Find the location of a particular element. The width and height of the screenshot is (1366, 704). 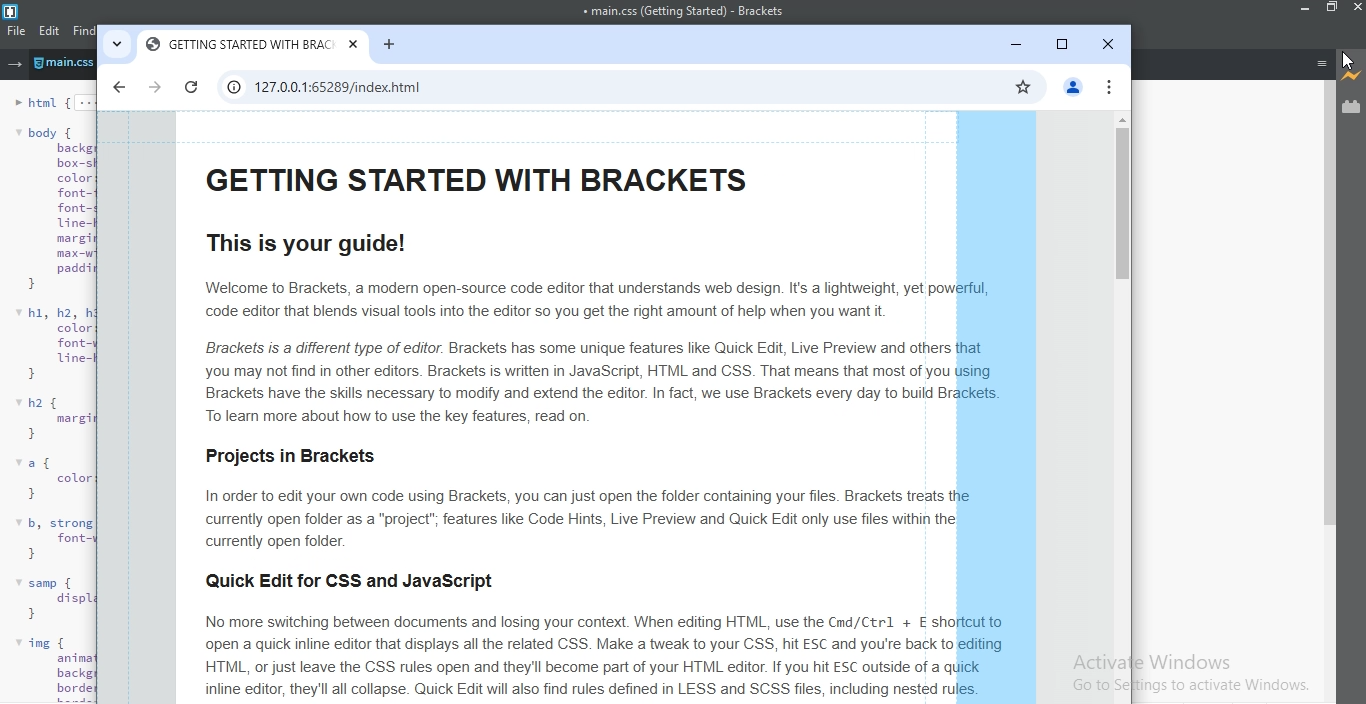

profile is located at coordinates (1074, 88).